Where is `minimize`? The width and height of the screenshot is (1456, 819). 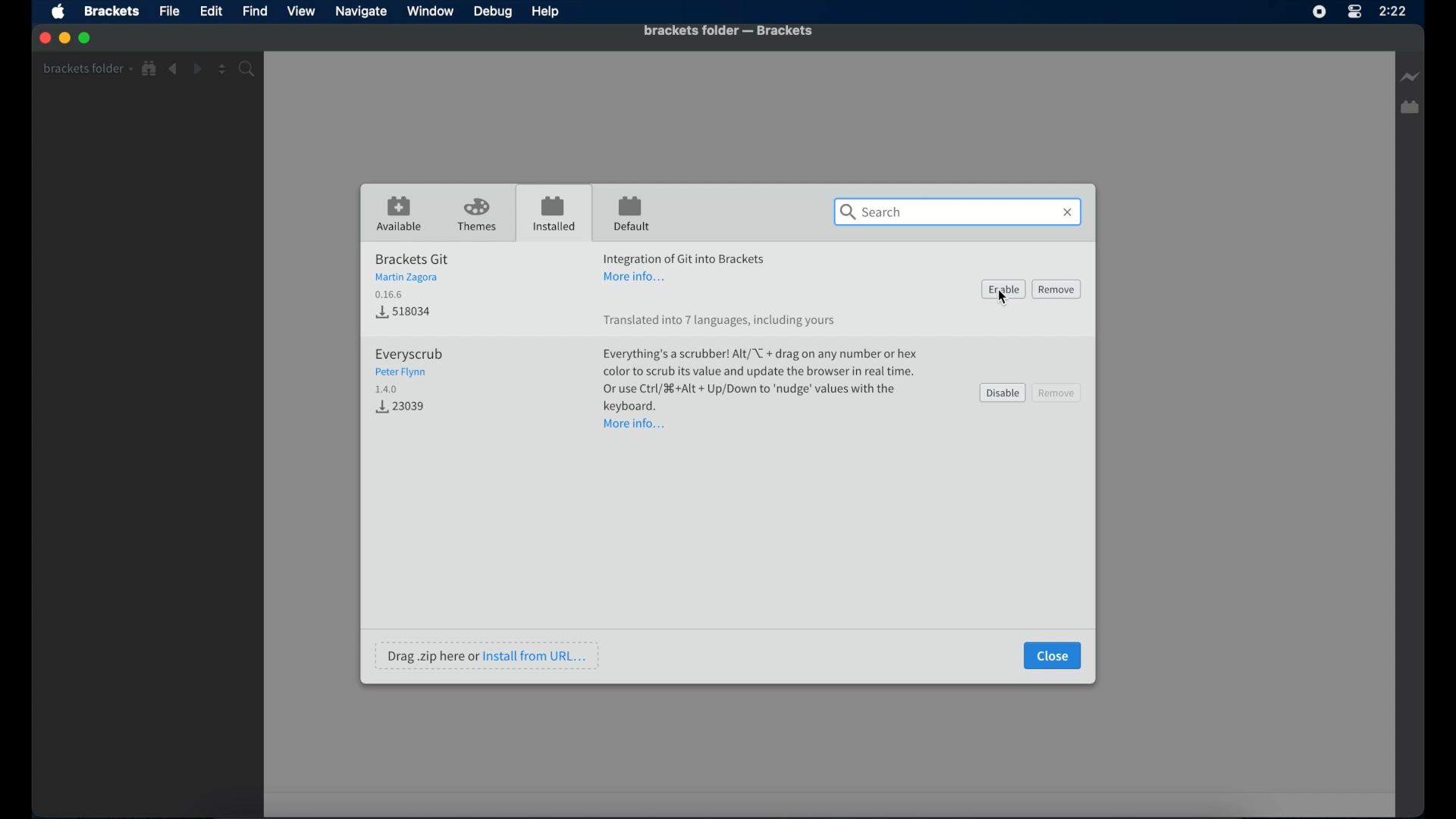
minimize is located at coordinates (64, 37).